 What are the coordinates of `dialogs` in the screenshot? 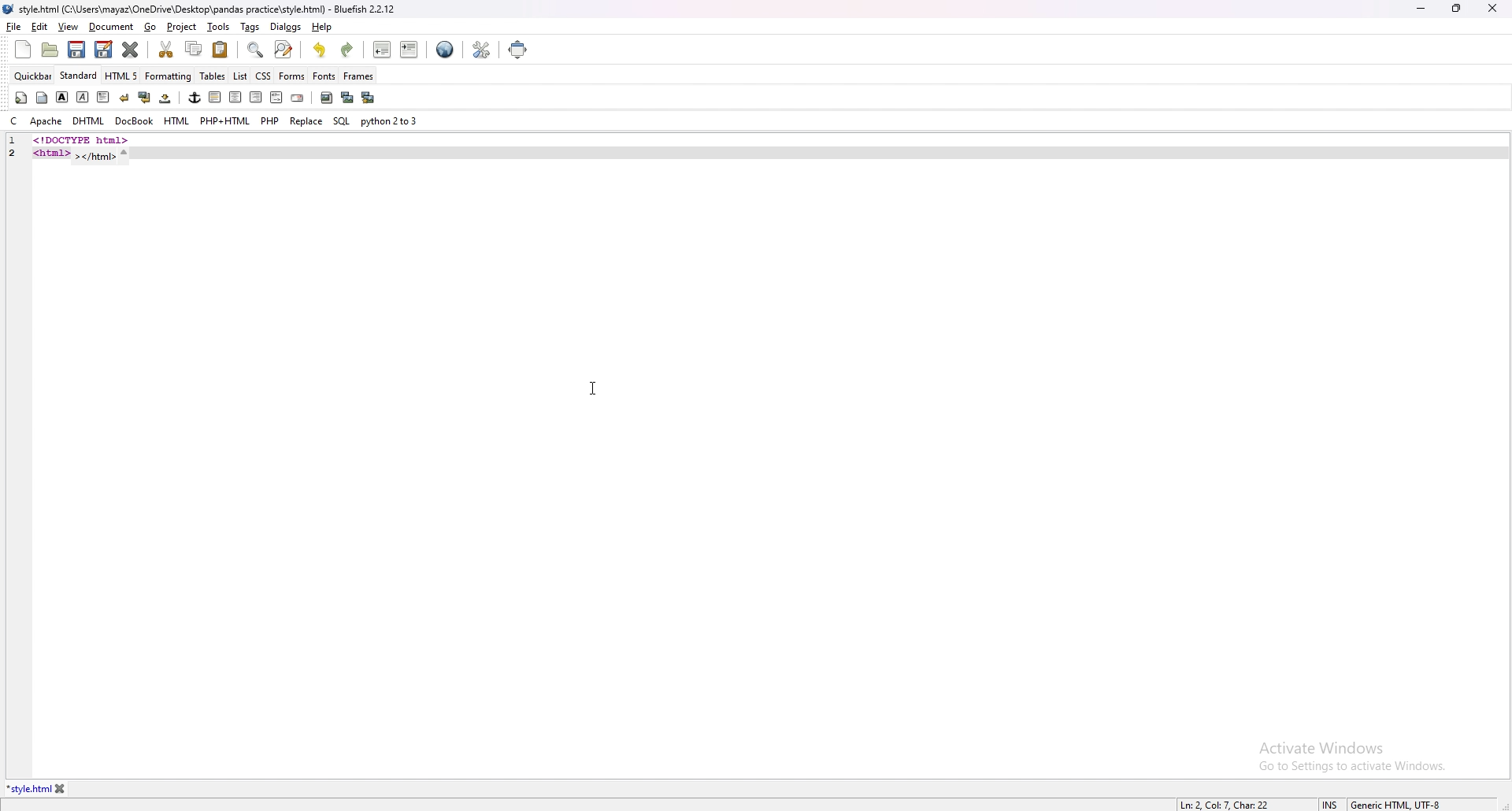 It's located at (286, 27).